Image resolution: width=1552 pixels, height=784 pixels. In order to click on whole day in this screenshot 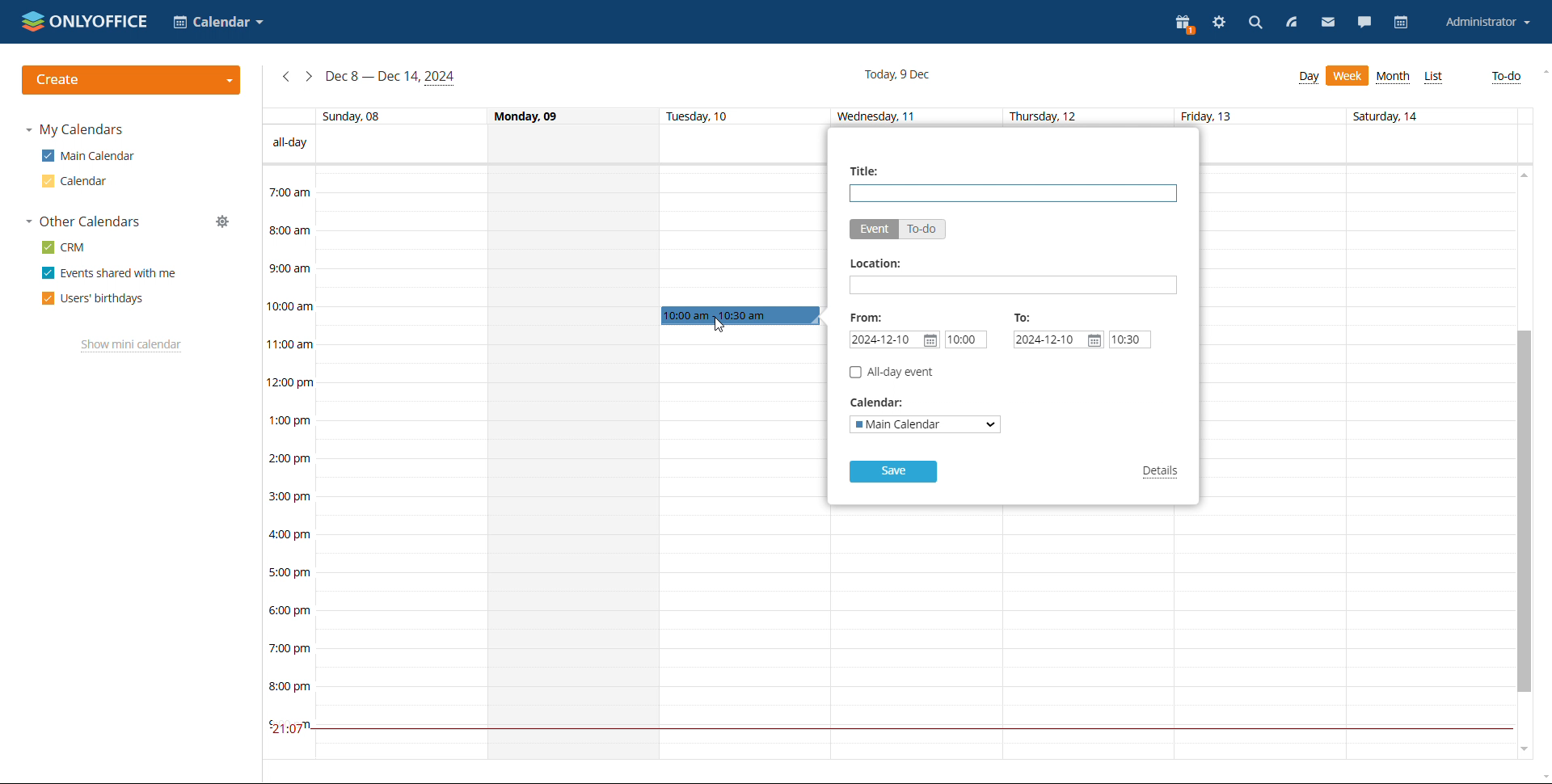, I will do `click(573, 462)`.